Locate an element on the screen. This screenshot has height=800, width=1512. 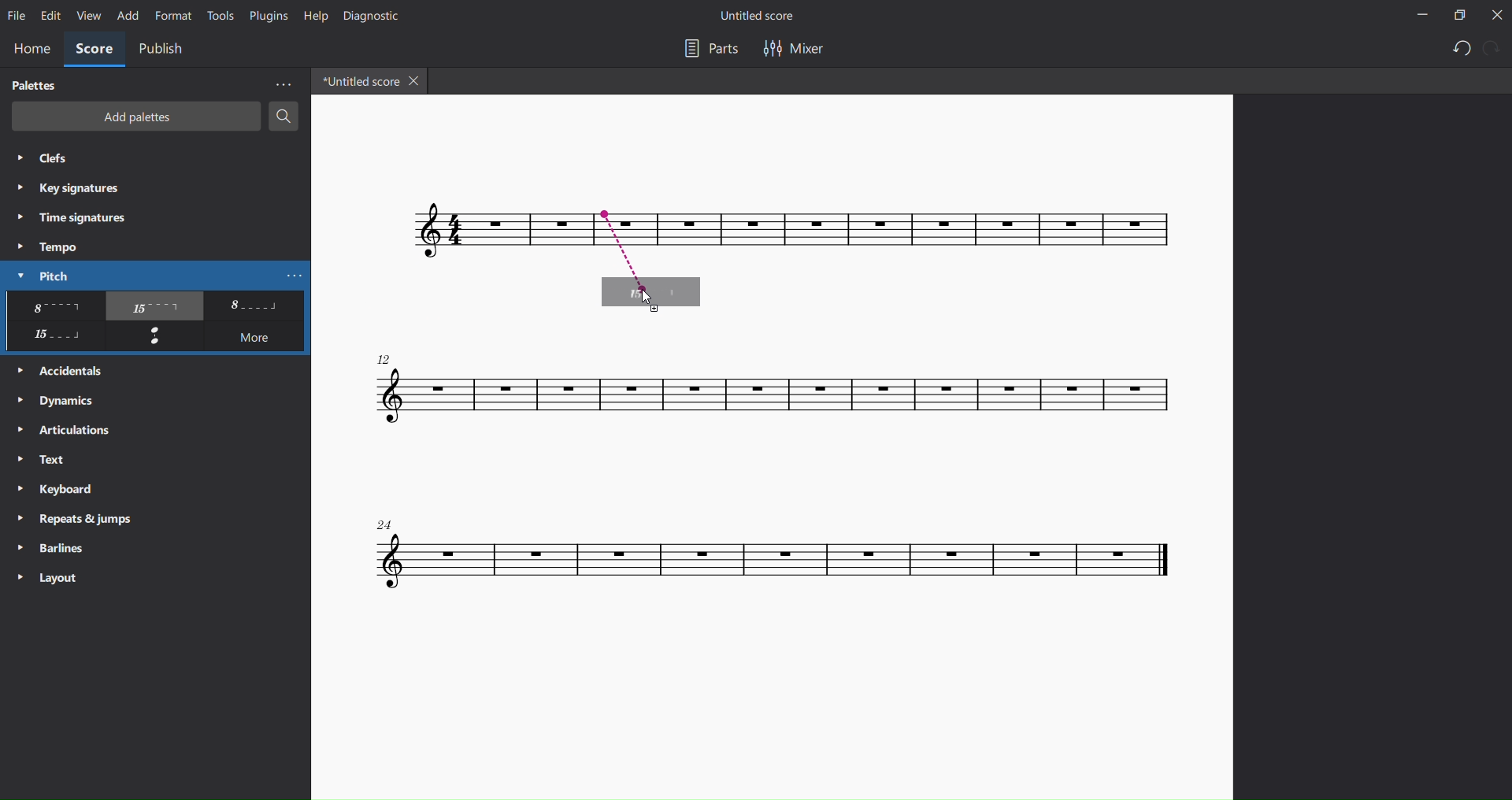
public is located at coordinates (165, 51).